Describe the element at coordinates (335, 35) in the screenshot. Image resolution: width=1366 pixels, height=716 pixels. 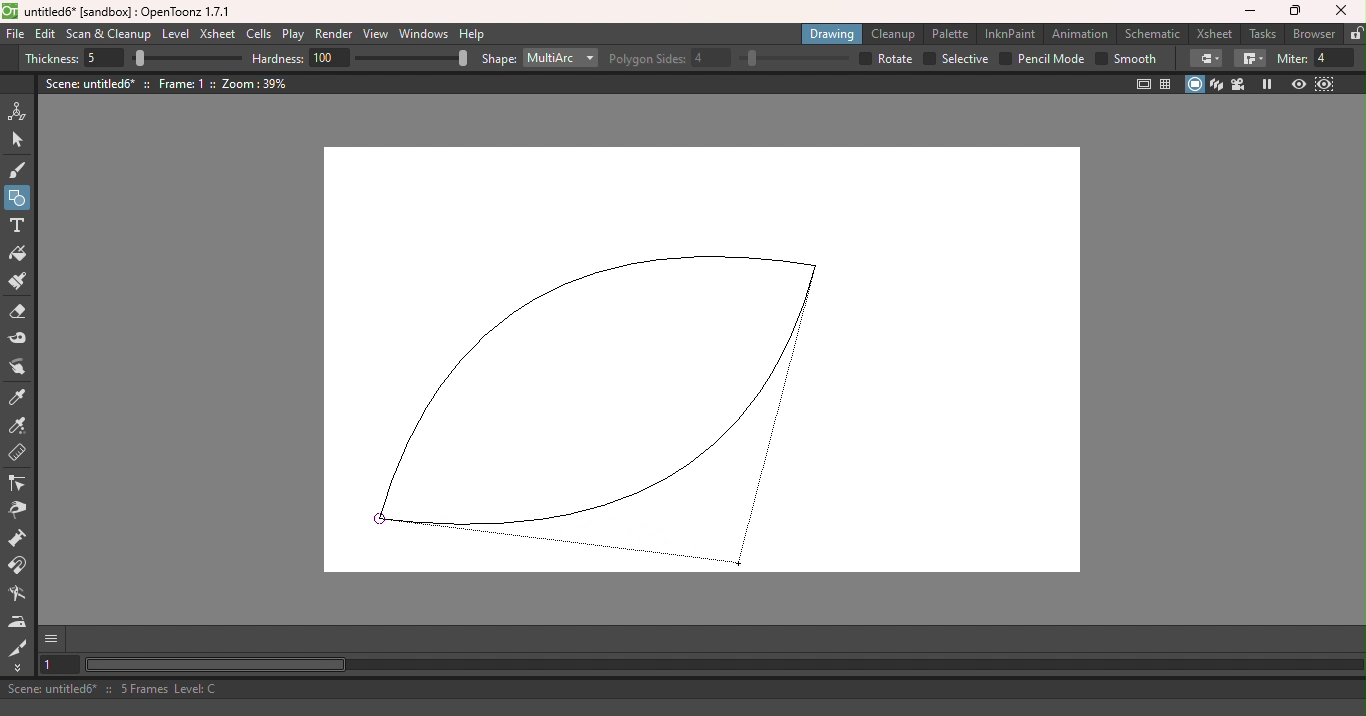
I see `Render` at that location.